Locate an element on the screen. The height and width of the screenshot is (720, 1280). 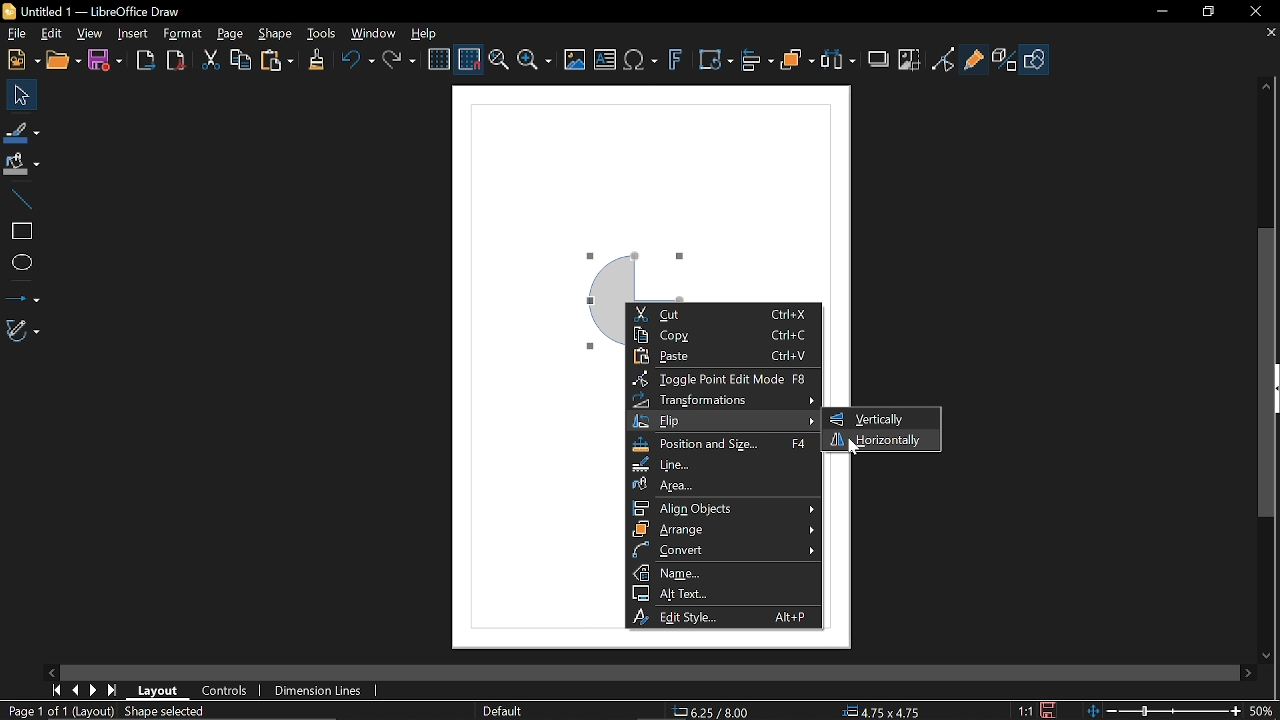
Shadow is located at coordinates (881, 60).